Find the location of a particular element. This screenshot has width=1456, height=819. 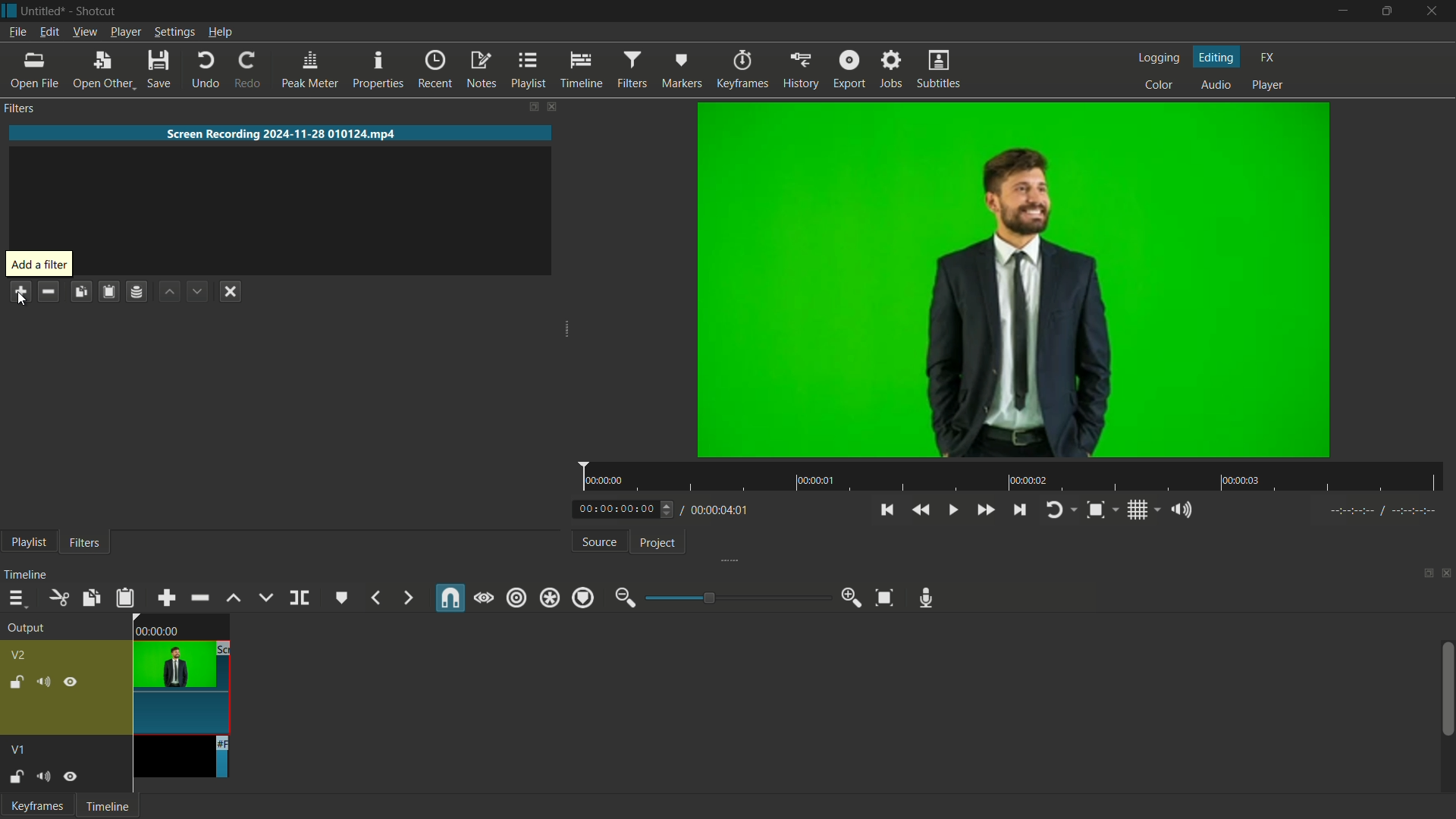

show volume control is located at coordinates (1177, 510).